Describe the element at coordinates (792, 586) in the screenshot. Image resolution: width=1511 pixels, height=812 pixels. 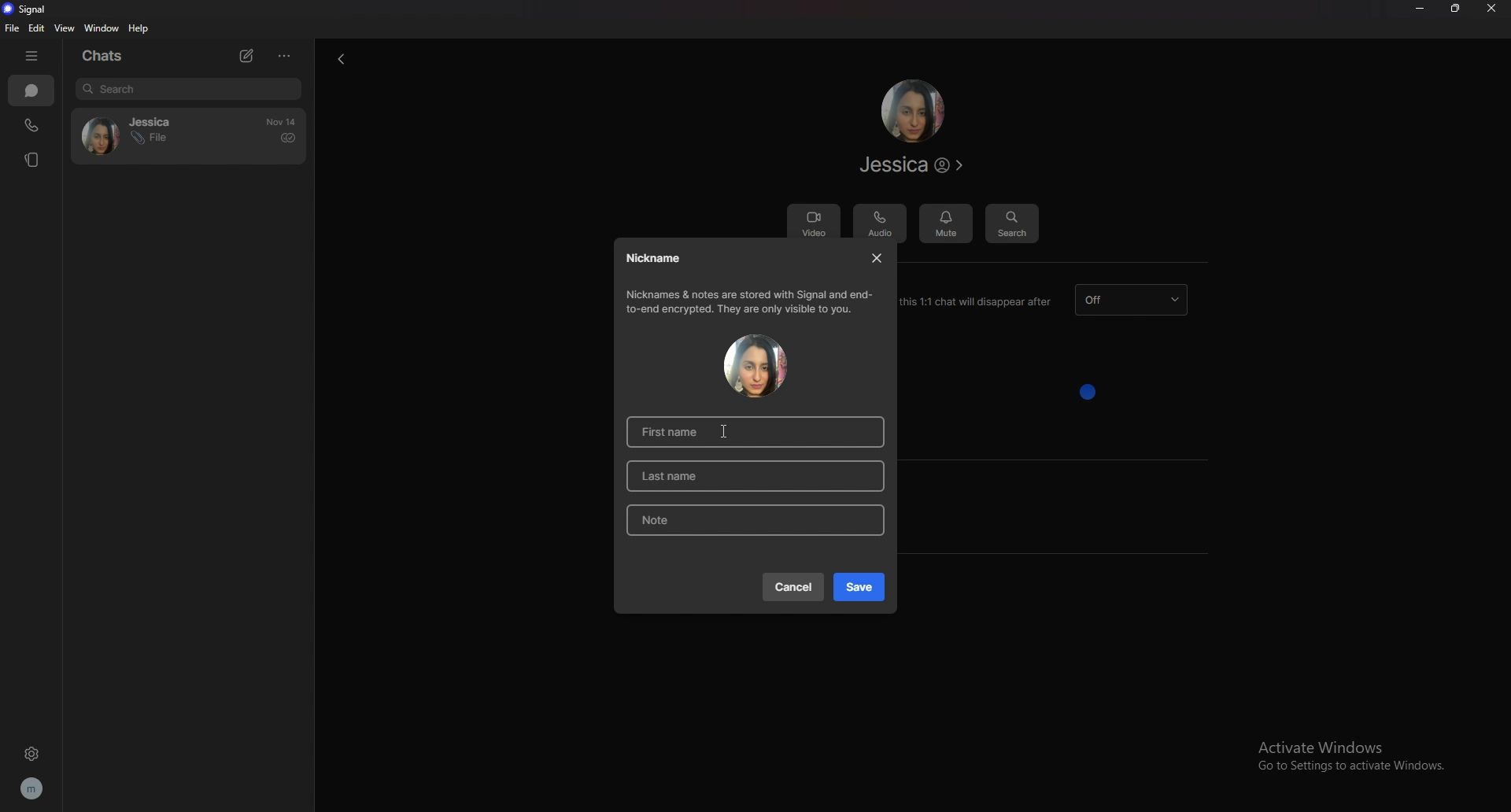
I see `cancel` at that location.